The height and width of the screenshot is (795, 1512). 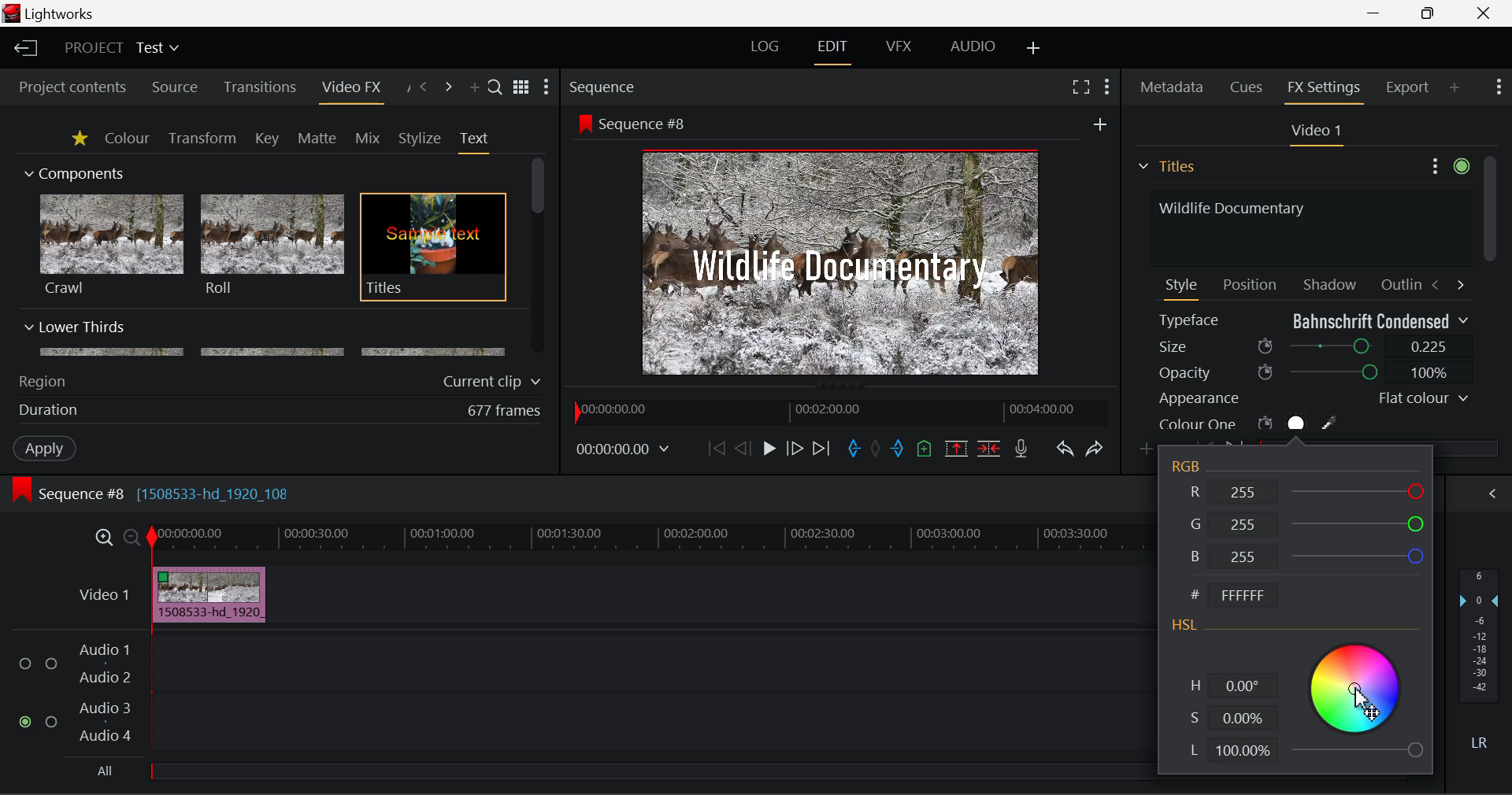 What do you see at coordinates (1455, 87) in the screenshot?
I see `Add Panel` at bounding box center [1455, 87].